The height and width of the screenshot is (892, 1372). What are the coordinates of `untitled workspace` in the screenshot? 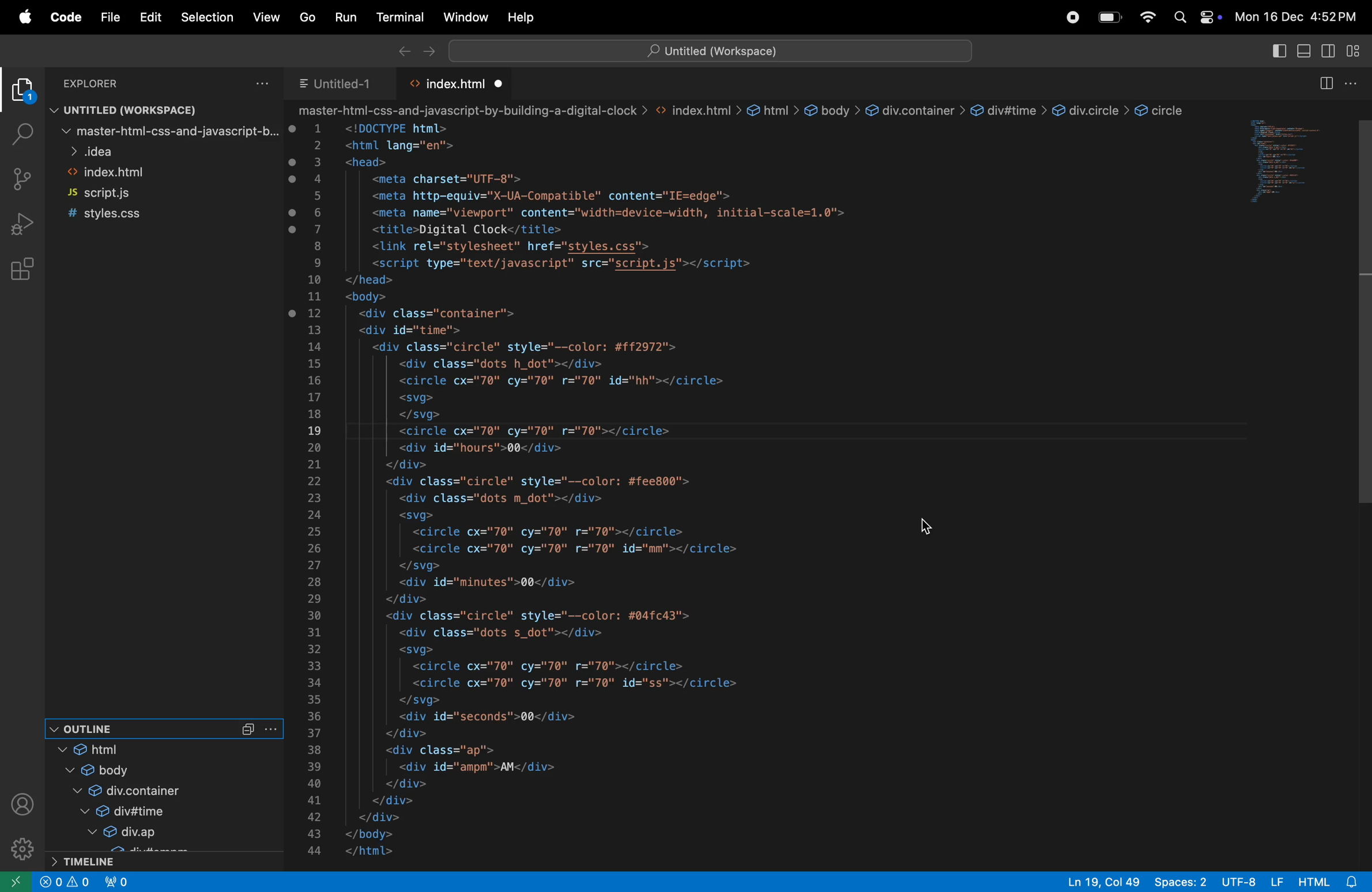 It's located at (150, 109).